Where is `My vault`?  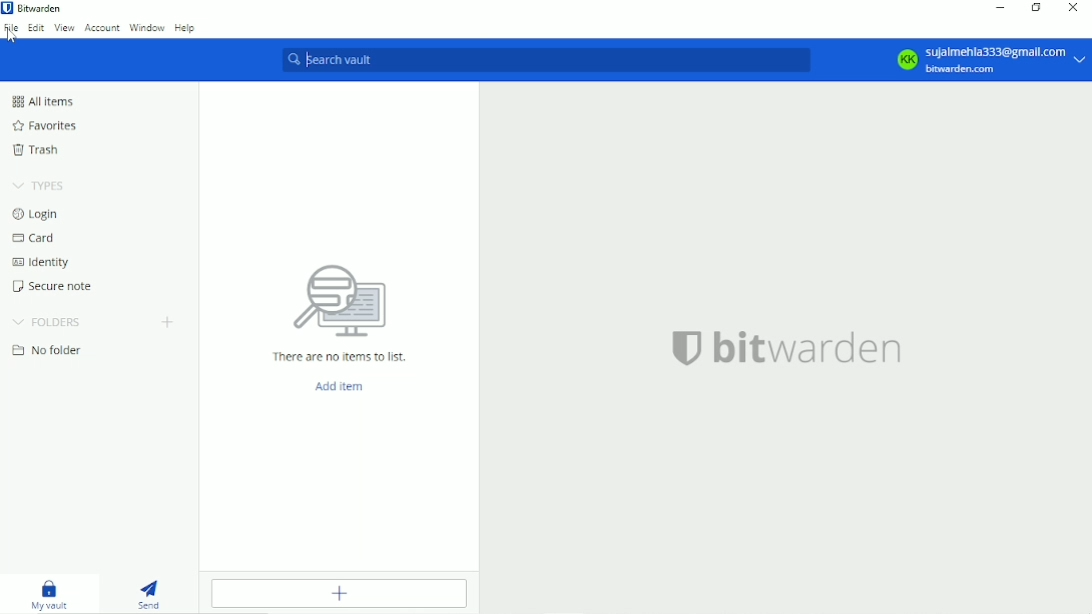 My vault is located at coordinates (51, 595).